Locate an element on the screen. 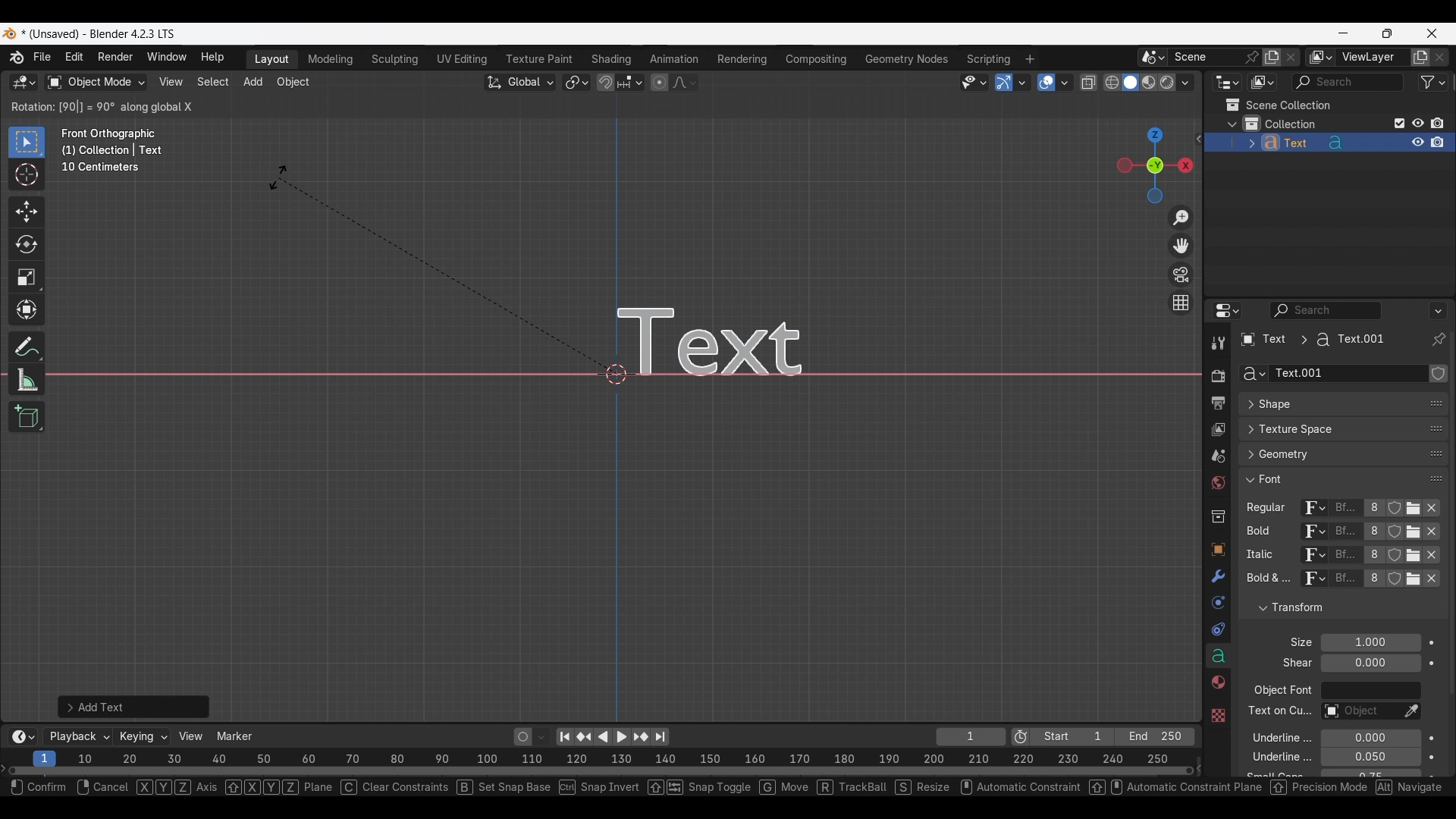 Image resolution: width=1456 pixels, height=819 pixels. Transform is located at coordinates (26, 311).